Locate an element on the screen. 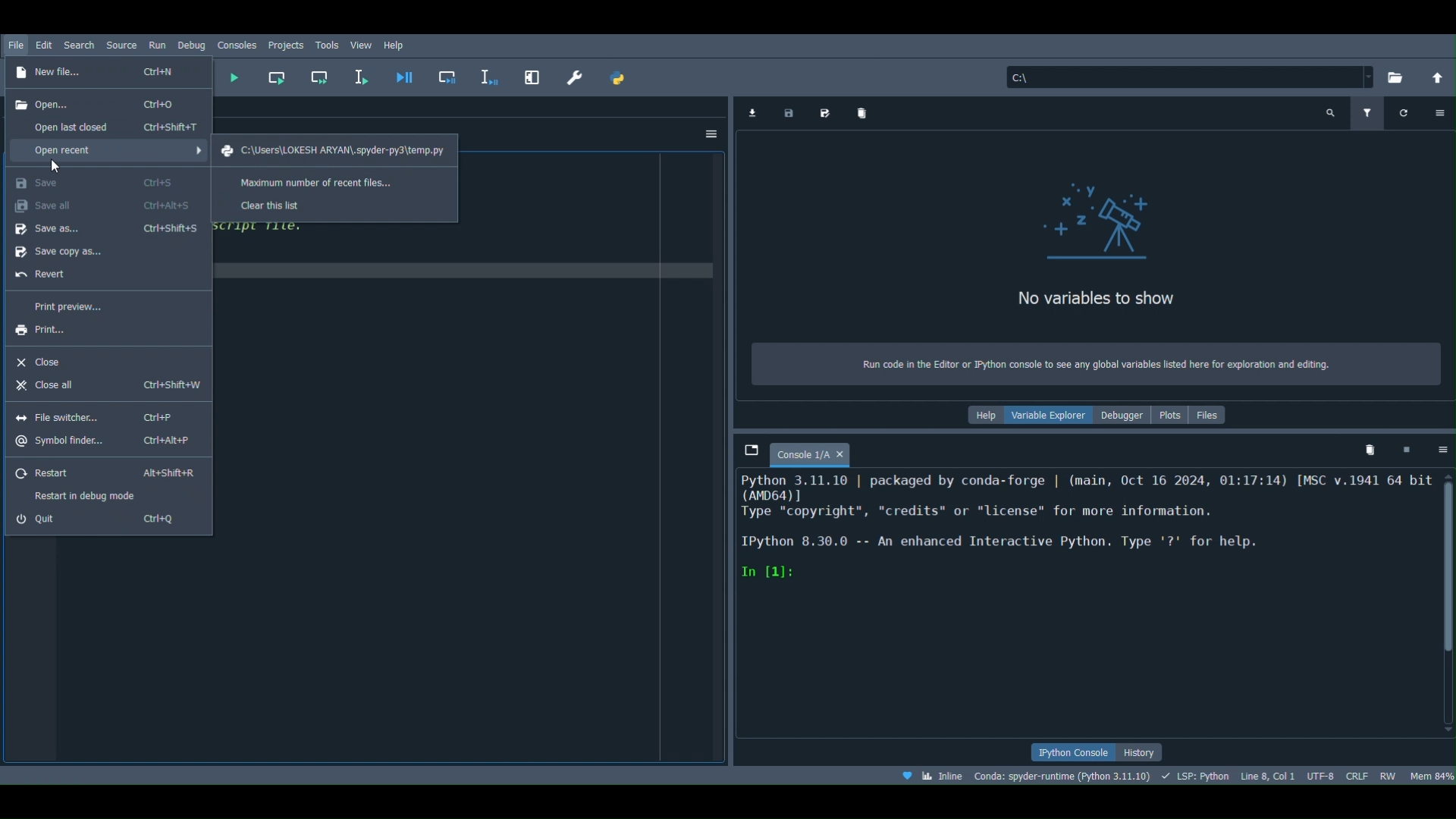 The width and height of the screenshot is (1456, 819). Save as is located at coordinates (102, 229).